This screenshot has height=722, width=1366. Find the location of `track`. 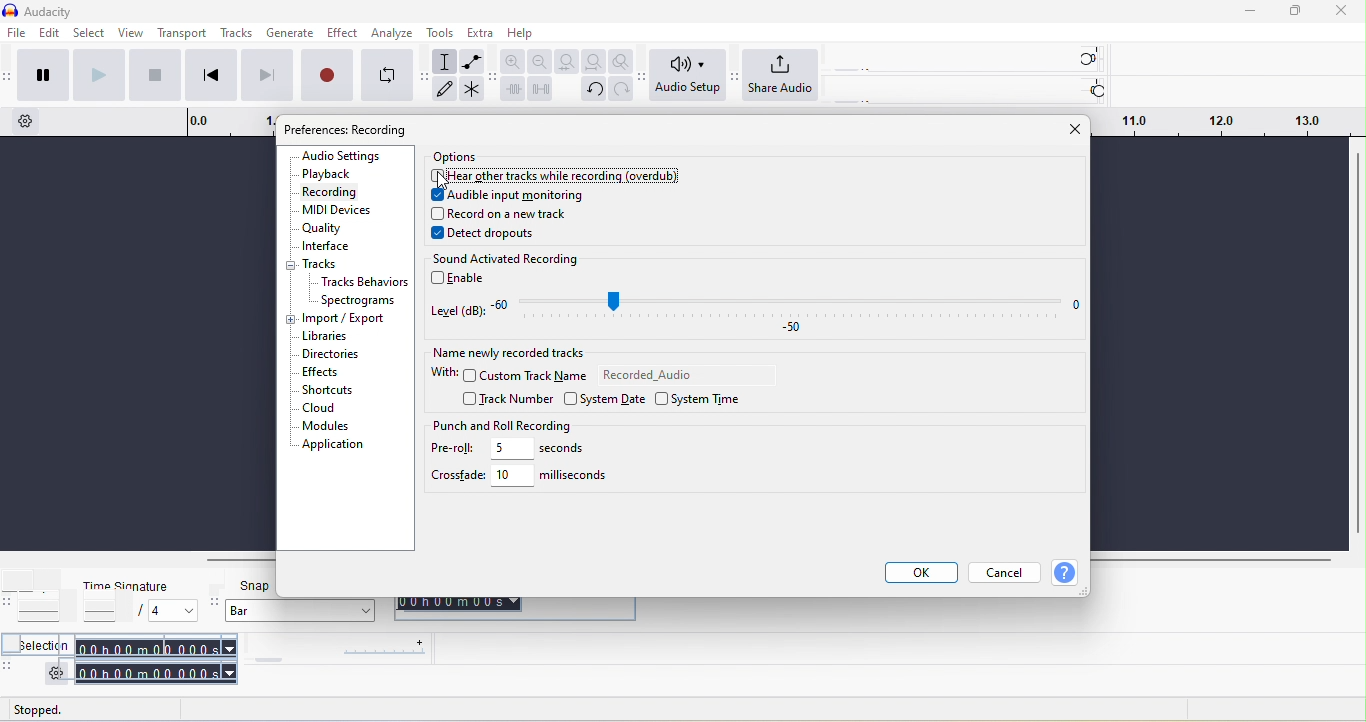

track is located at coordinates (320, 265).